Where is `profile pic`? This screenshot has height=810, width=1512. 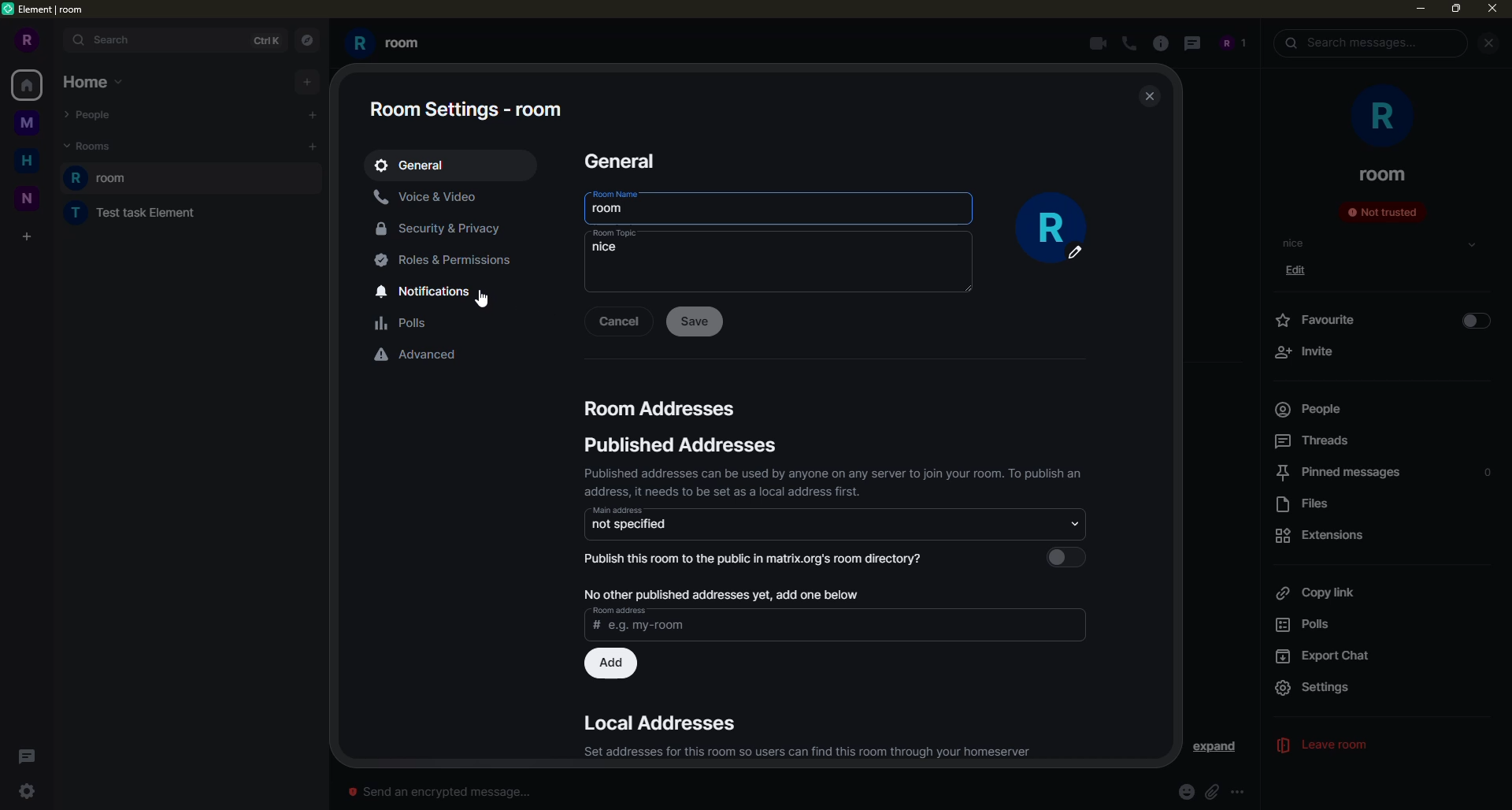 profile pic is located at coordinates (1378, 115).